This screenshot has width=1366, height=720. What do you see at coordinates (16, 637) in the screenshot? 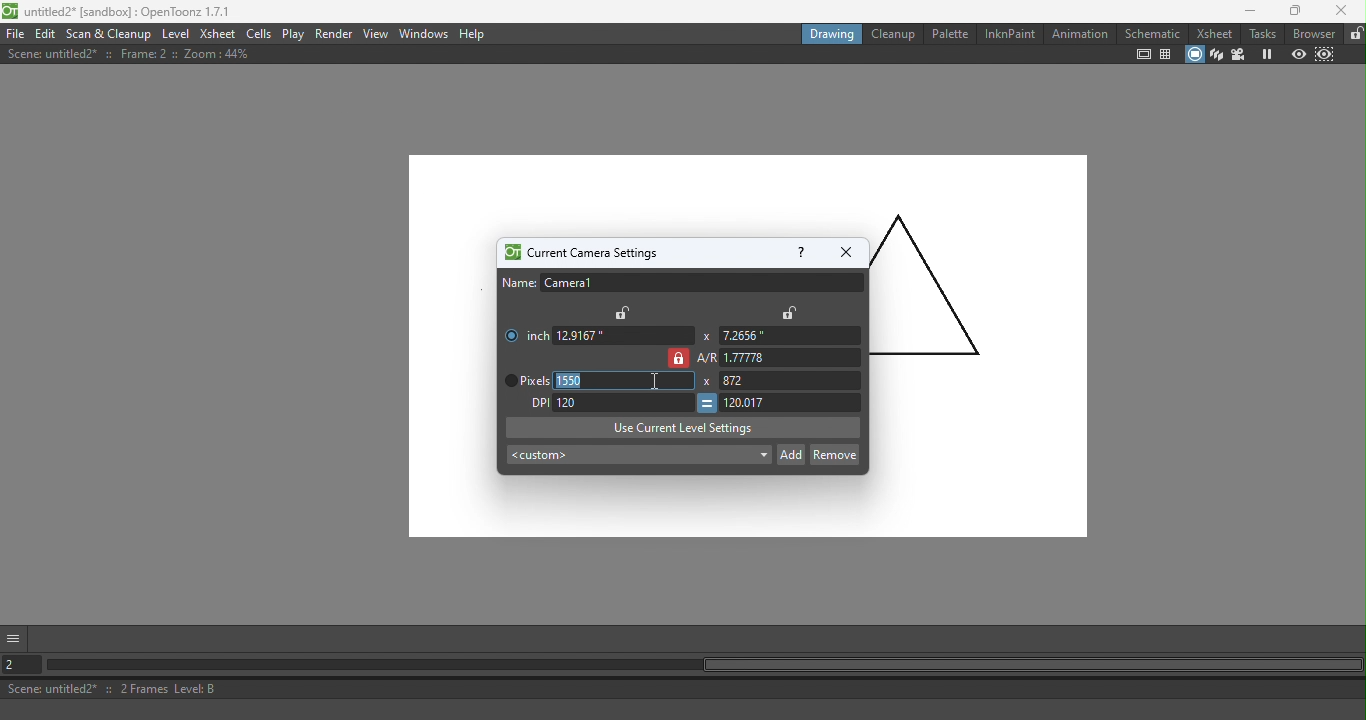
I see `More options` at bounding box center [16, 637].